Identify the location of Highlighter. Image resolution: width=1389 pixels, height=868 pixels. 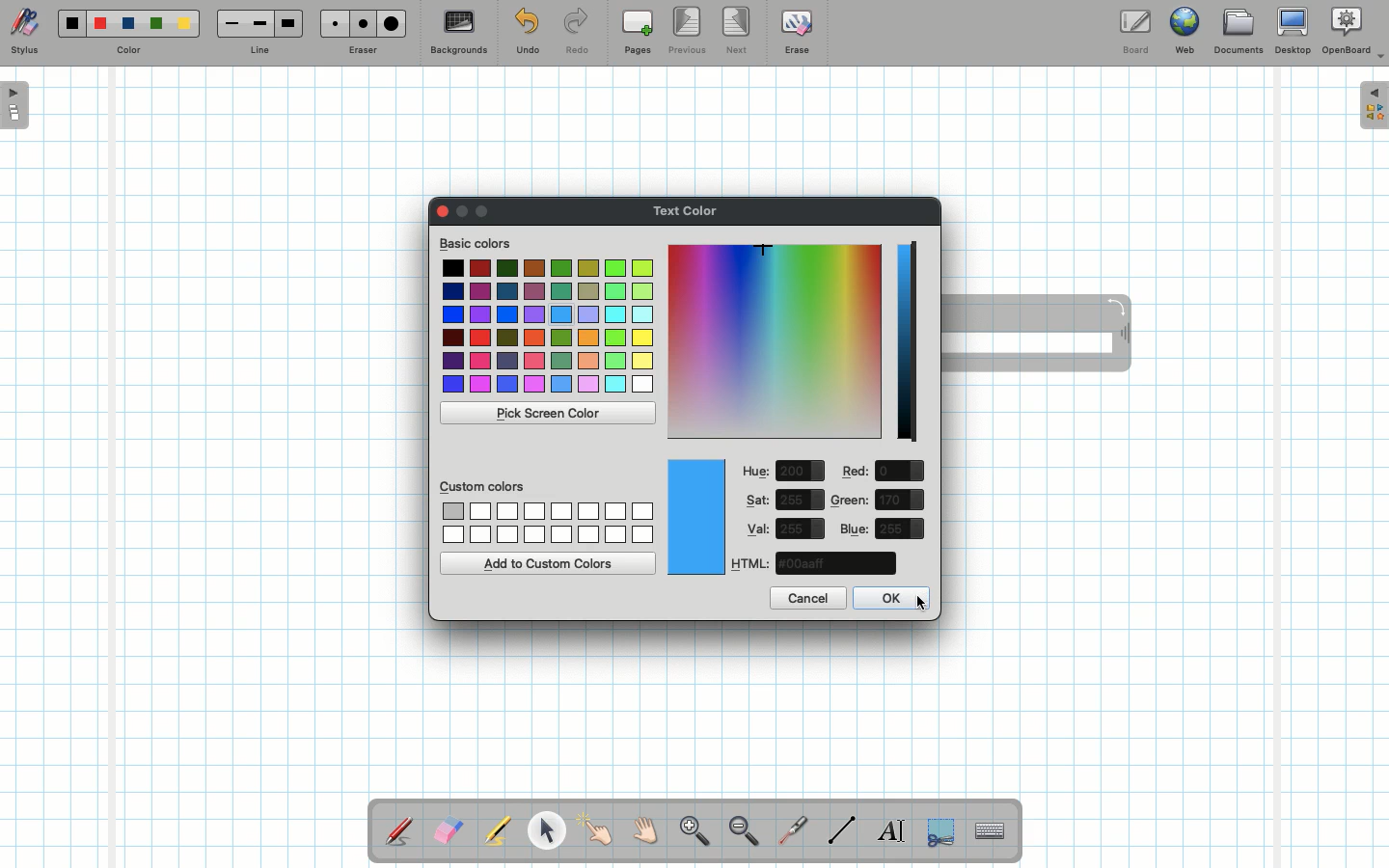
(496, 832).